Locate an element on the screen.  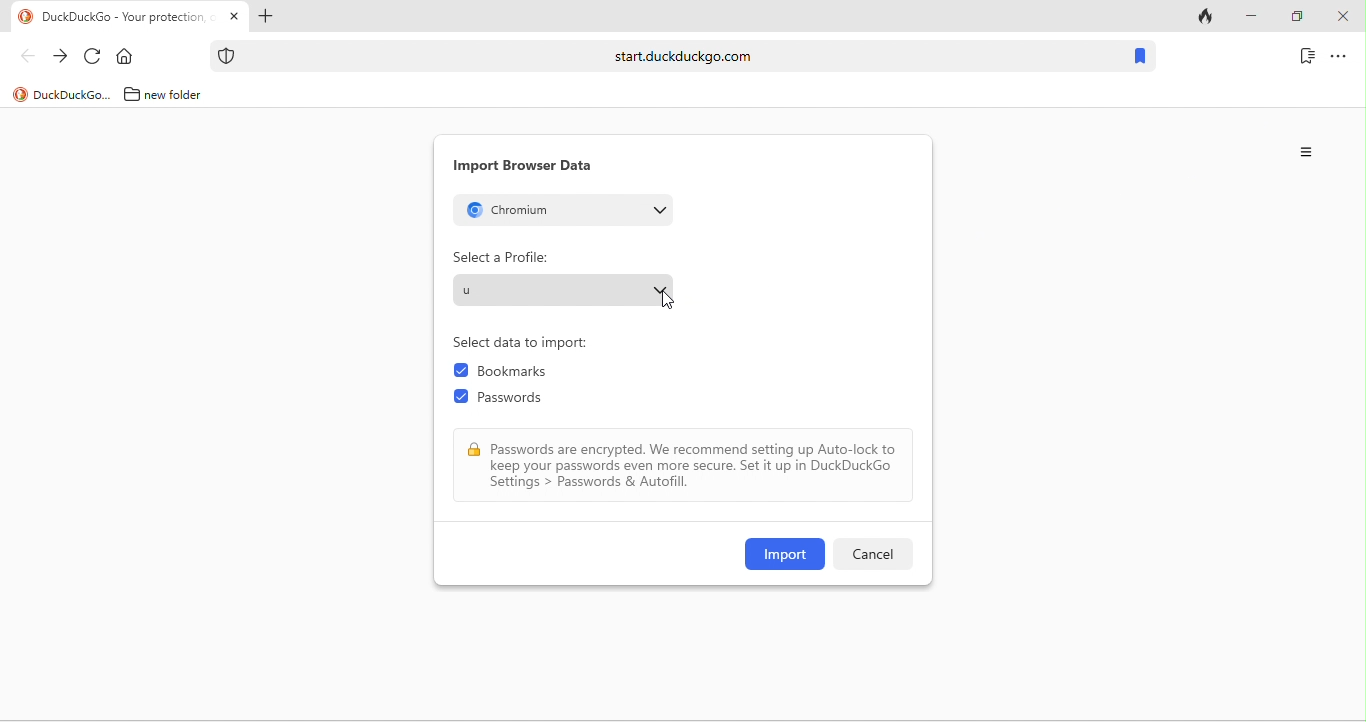
import browser data is located at coordinates (523, 166).